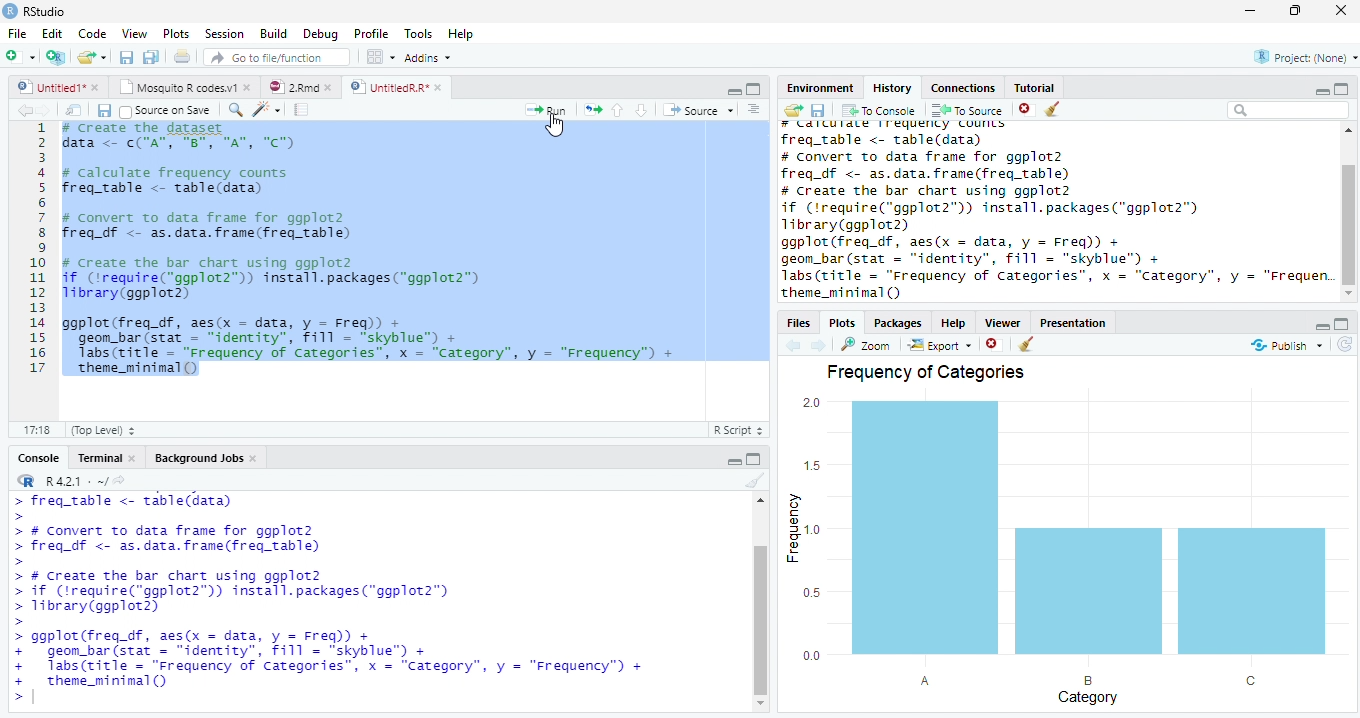  What do you see at coordinates (34, 10) in the screenshot?
I see `Rstudio` at bounding box center [34, 10].